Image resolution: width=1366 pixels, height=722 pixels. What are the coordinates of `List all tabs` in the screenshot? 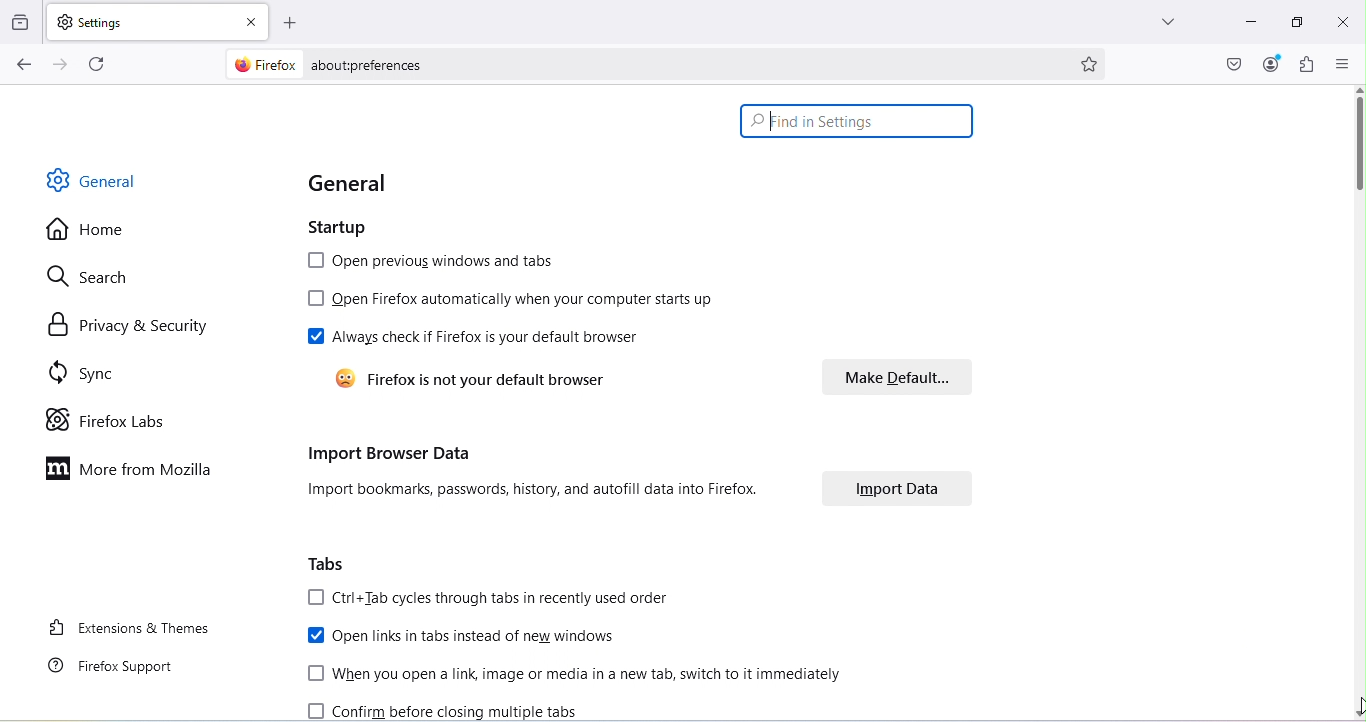 It's located at (1159, 18).